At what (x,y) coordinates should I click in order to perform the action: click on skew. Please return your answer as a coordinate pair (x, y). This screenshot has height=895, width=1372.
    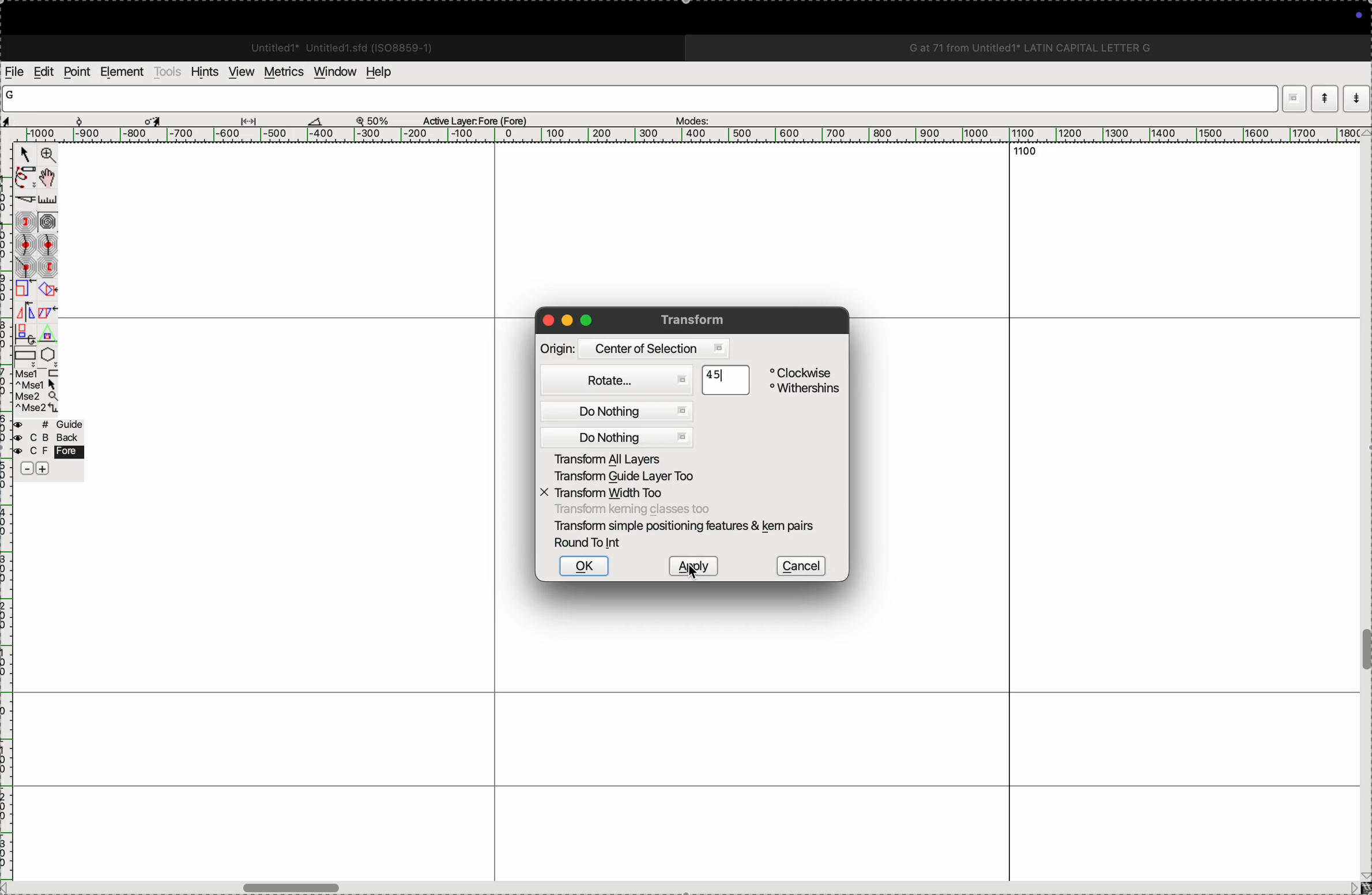
    Looking at the image, I should click on (47, 313).